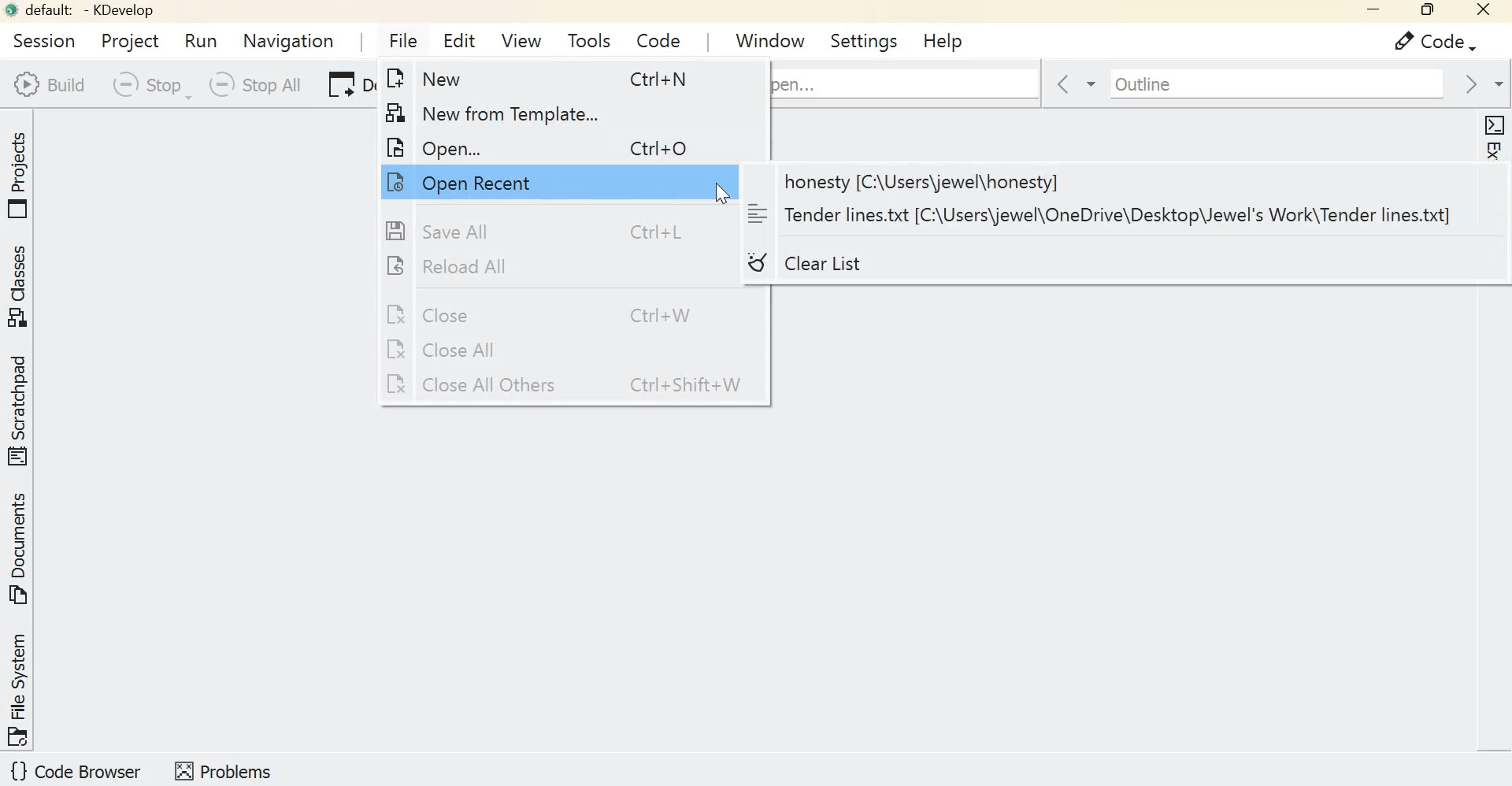 Image resolution: width=1512 pixels, height=786 pixels. Describe the element at coordinates (541, 231) in the screenshot. I see `save all` at that location.